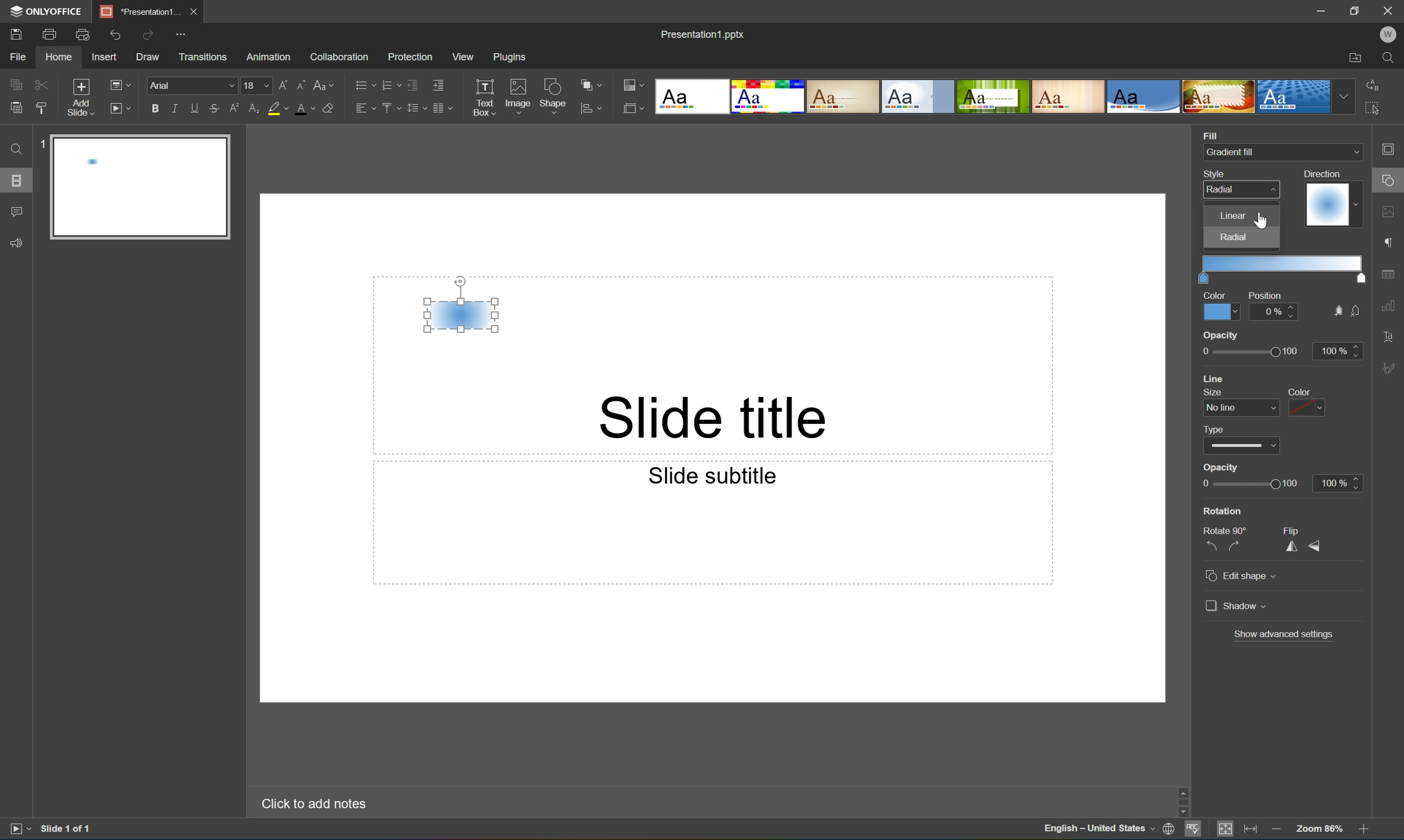  I want to click on Color, so click(1221, 311).